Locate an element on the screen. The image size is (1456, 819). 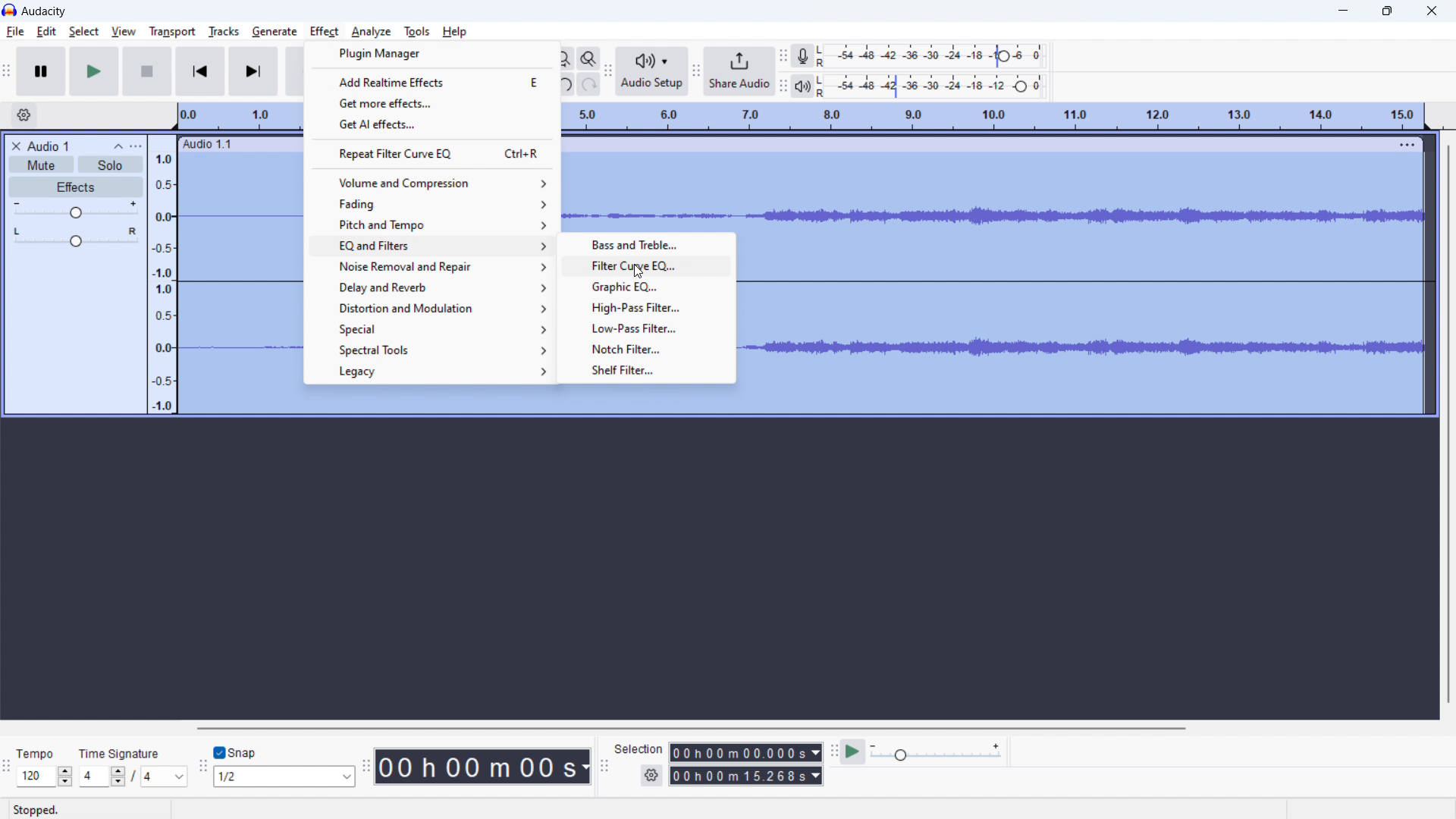
bass and treble is located at coordinates (646, 244).